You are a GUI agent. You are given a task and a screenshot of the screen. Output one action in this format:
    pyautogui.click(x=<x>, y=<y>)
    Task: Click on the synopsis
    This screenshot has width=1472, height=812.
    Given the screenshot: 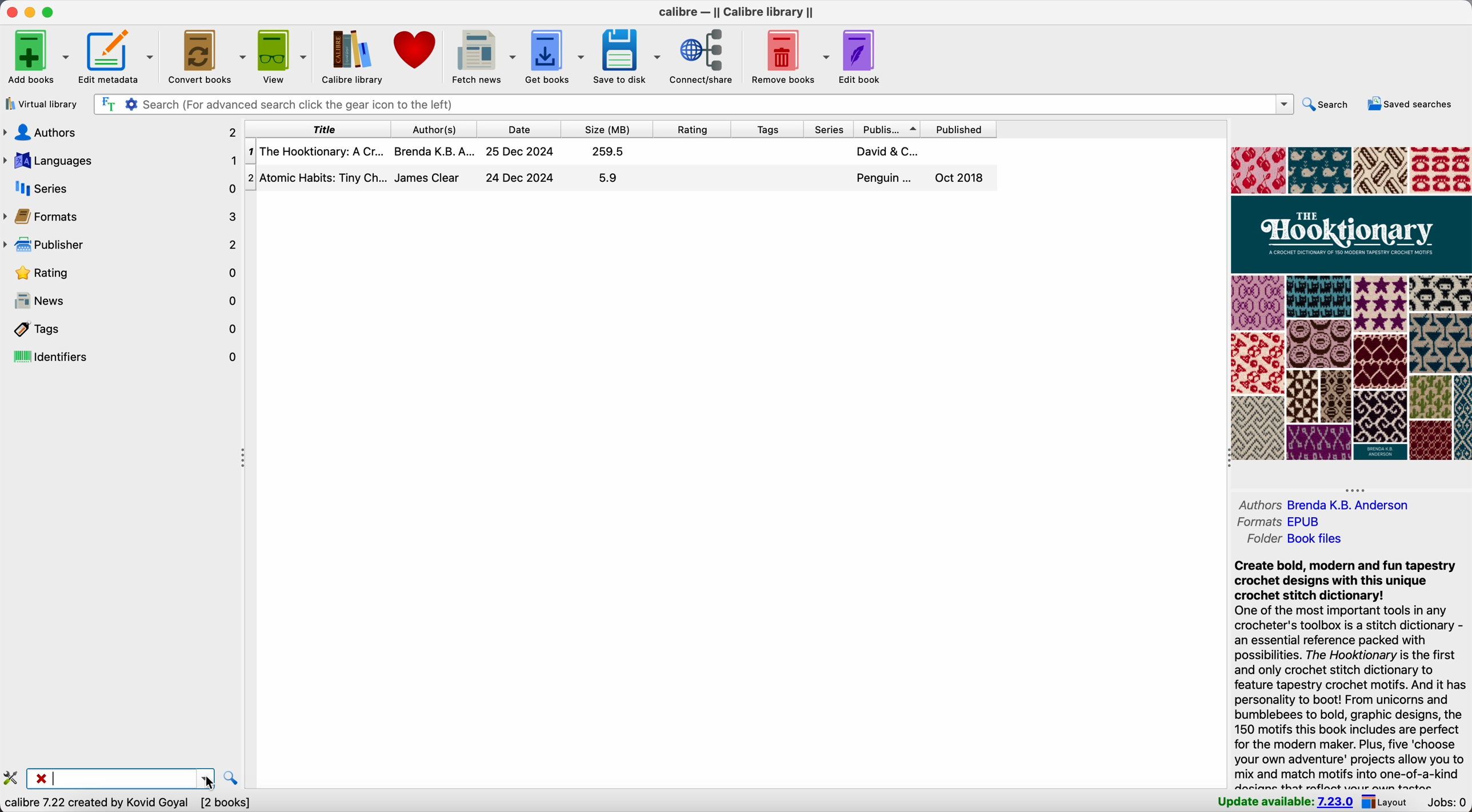 What is the action you would take?
    pyautogui.click(x=1351, y=673)
    